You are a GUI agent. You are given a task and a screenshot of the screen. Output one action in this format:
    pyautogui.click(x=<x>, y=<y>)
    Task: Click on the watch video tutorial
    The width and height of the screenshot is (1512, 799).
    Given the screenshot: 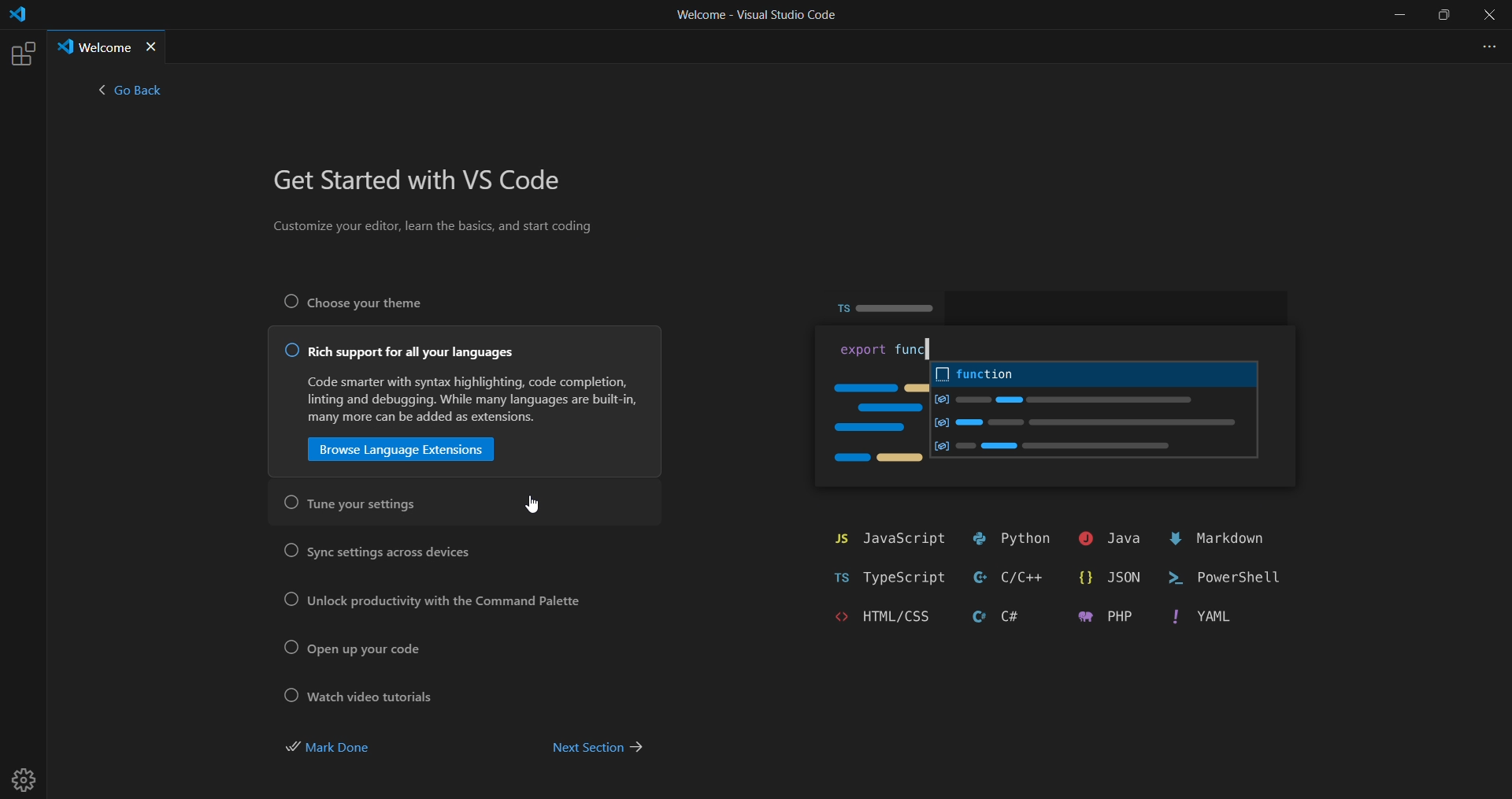 What is the action you would take?
    pyautogui.click(x=361, y=696)
    